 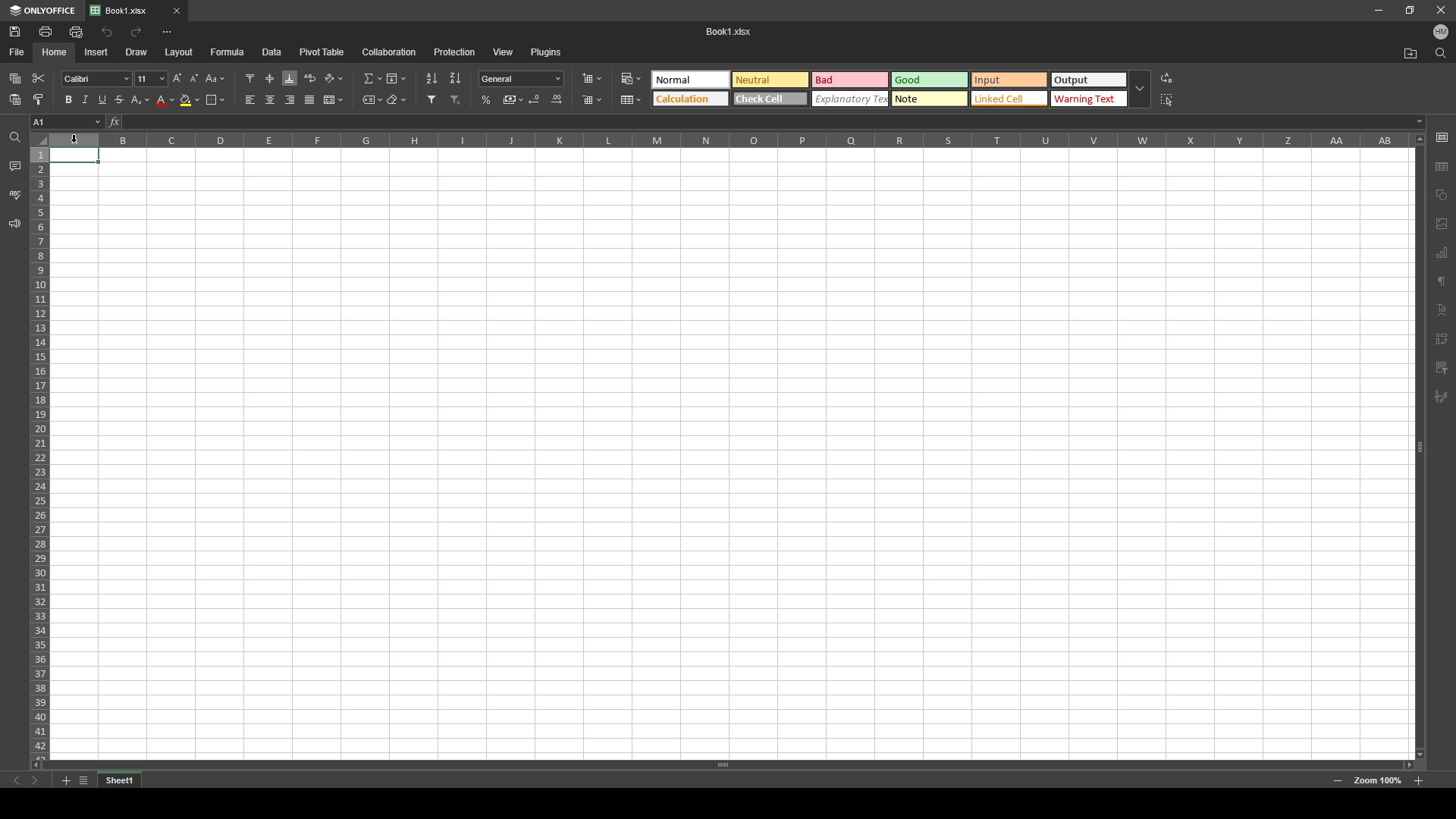 I want to click on align bottom, so click(x=290, y=78).